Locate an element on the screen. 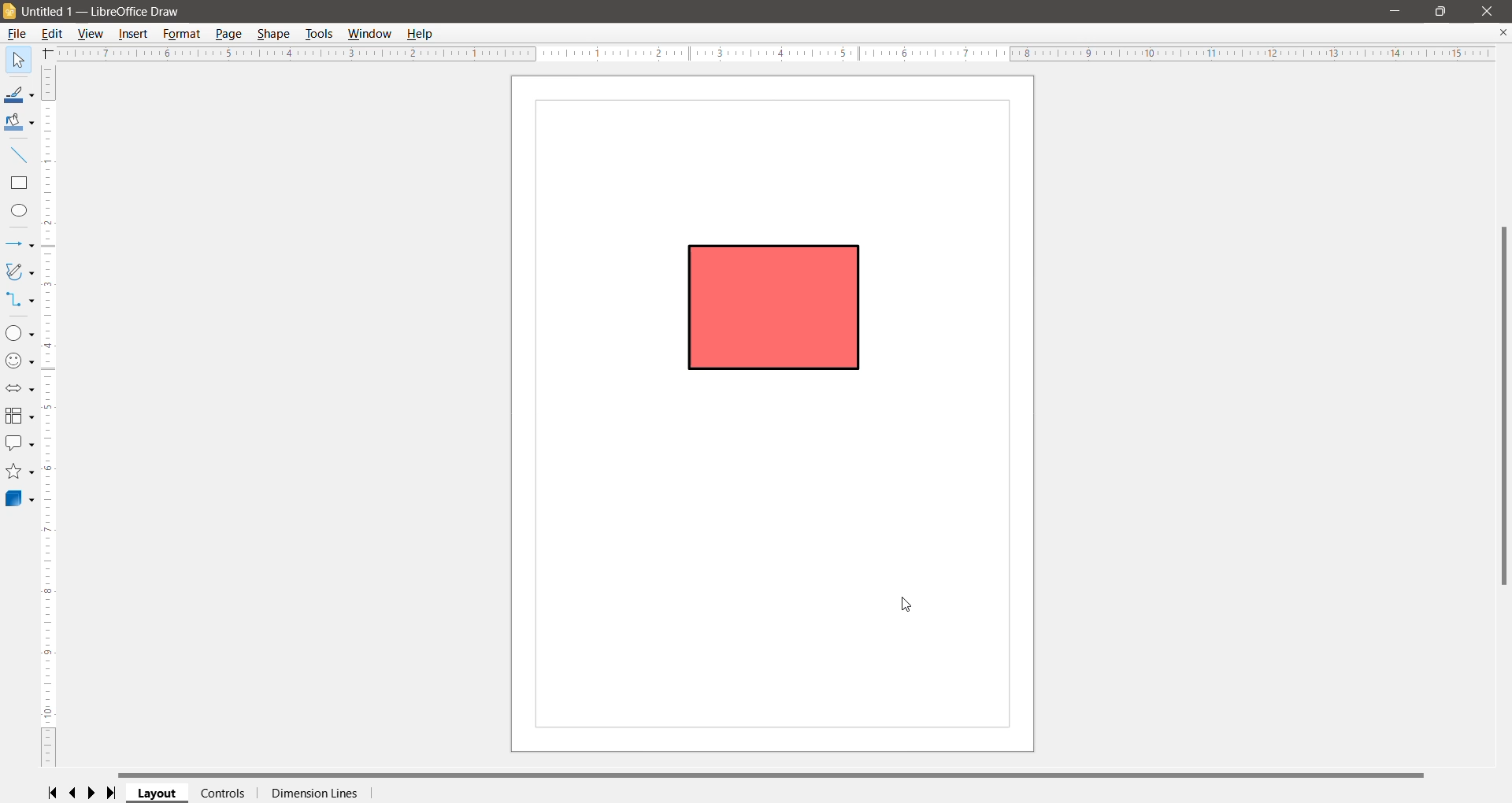 The height and width of the screenshot is (803, 1512). Tools is located at coordinates (319, 34).